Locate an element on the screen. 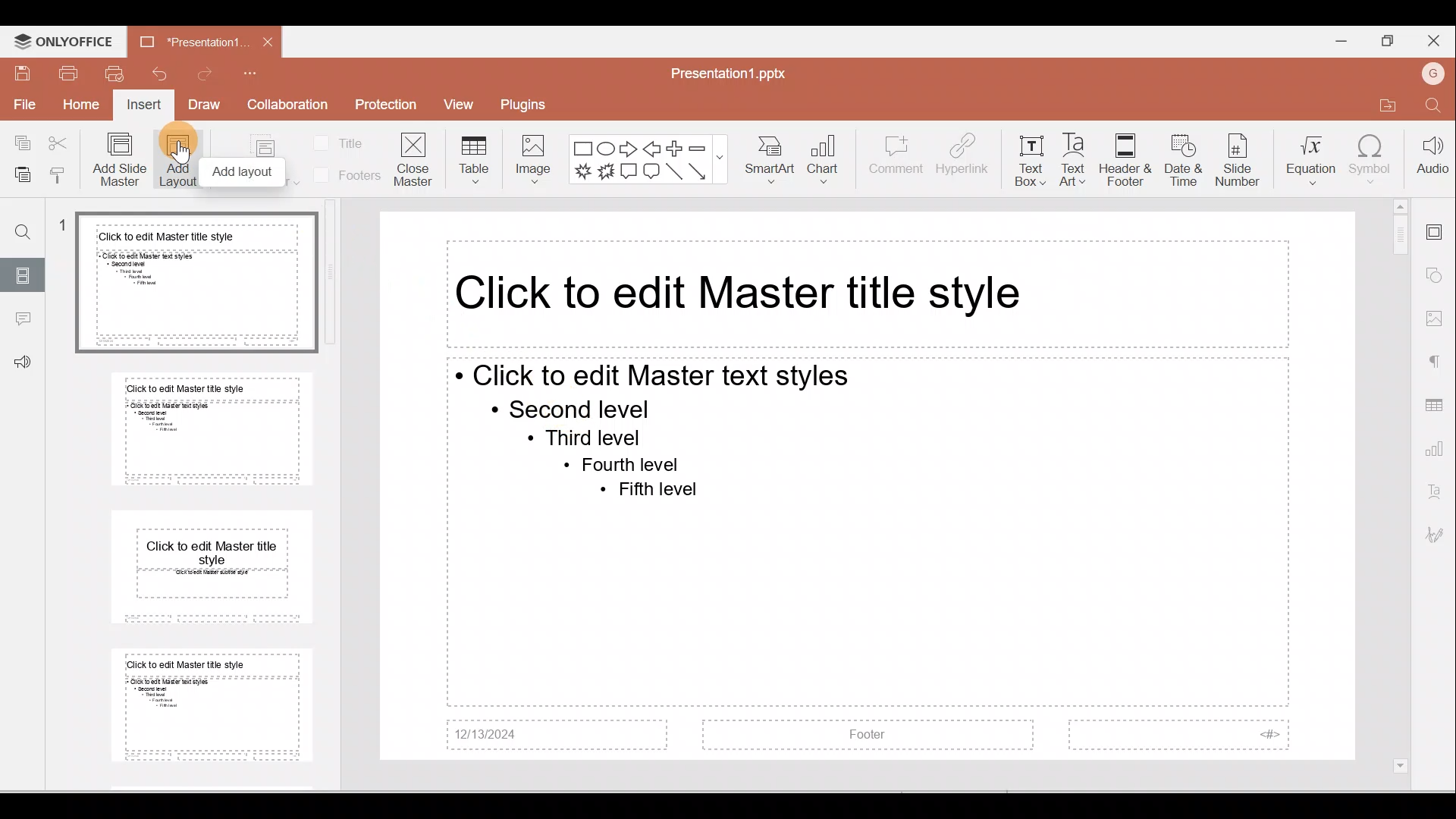 This screenshot has height=819, width=1456. Text Art settings is located at coordinates (1437, 493).